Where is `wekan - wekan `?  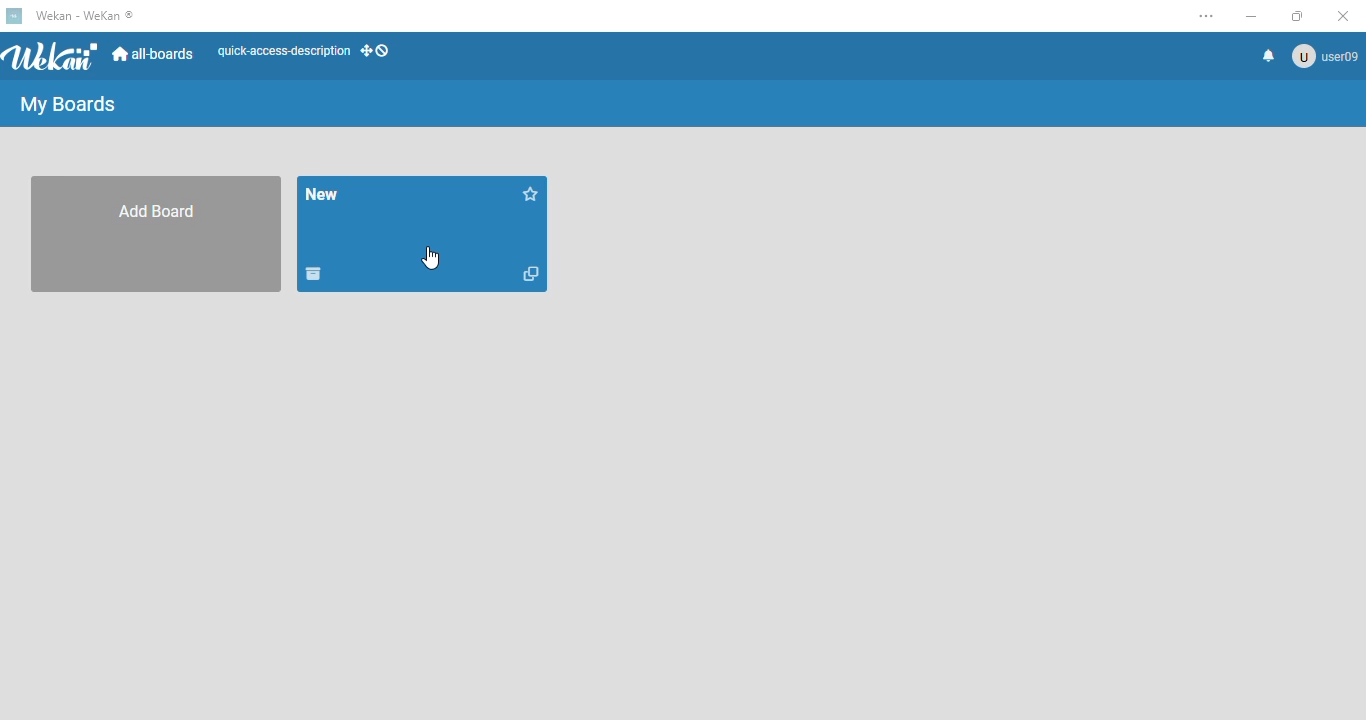 wekan - wekan  is located at coordinates (85, 15).